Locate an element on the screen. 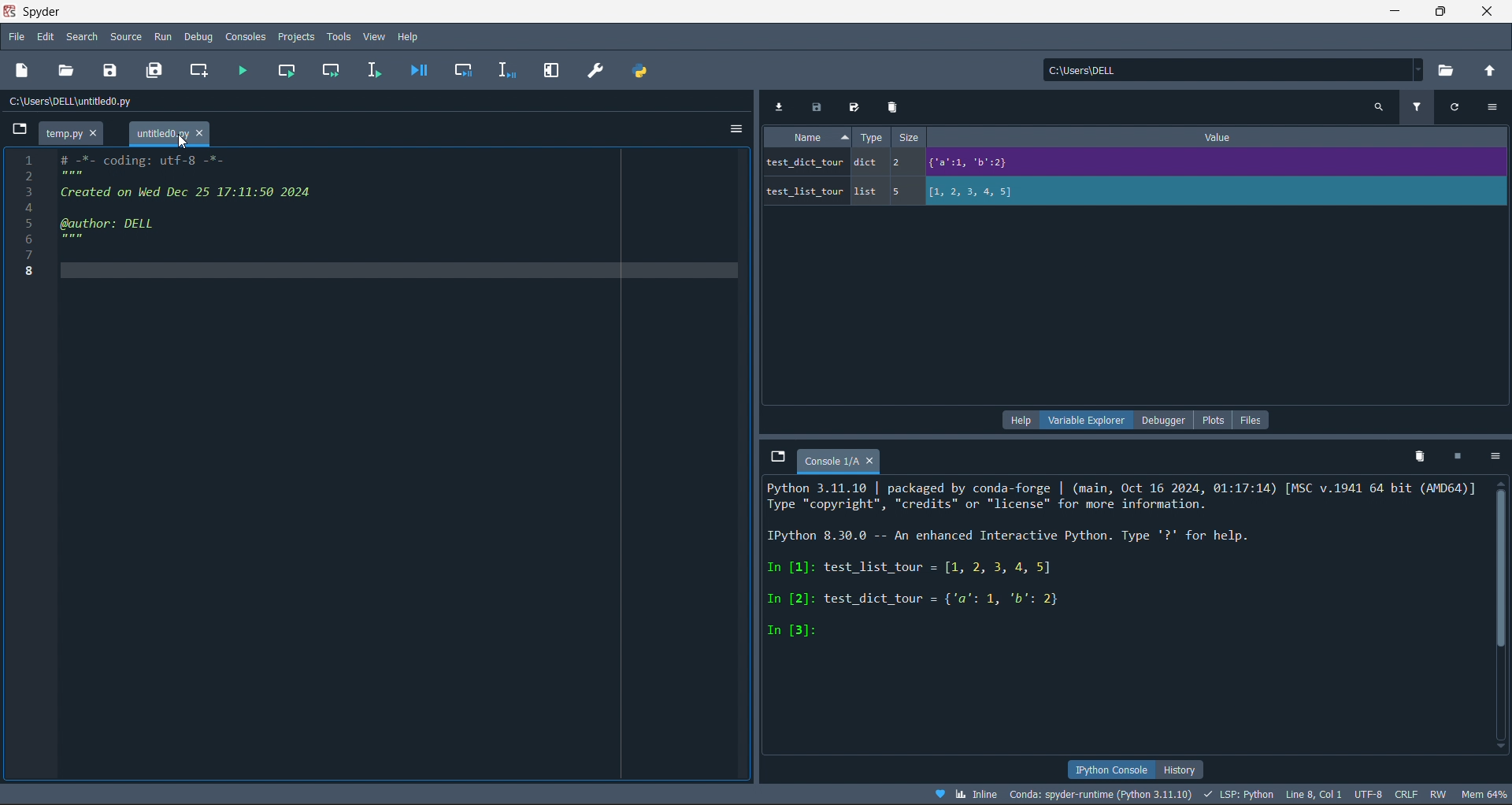 The width and height of the screenshot is (1512, 805). maximize current pane is located at coordinates (552, 71).